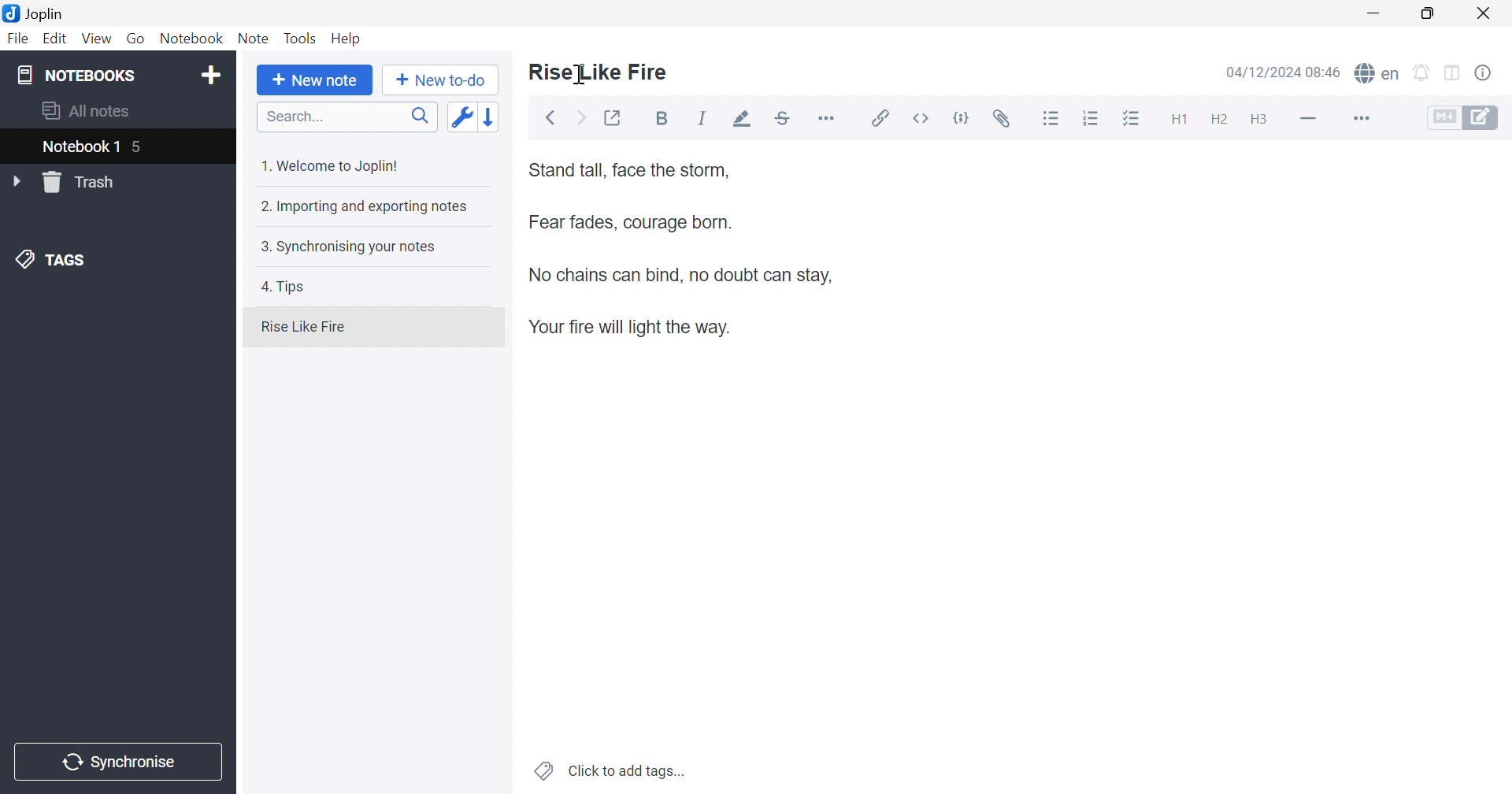  Describe the element at coordinates (1421, 72) in the screenshot. I see `Set alarm` at that location.